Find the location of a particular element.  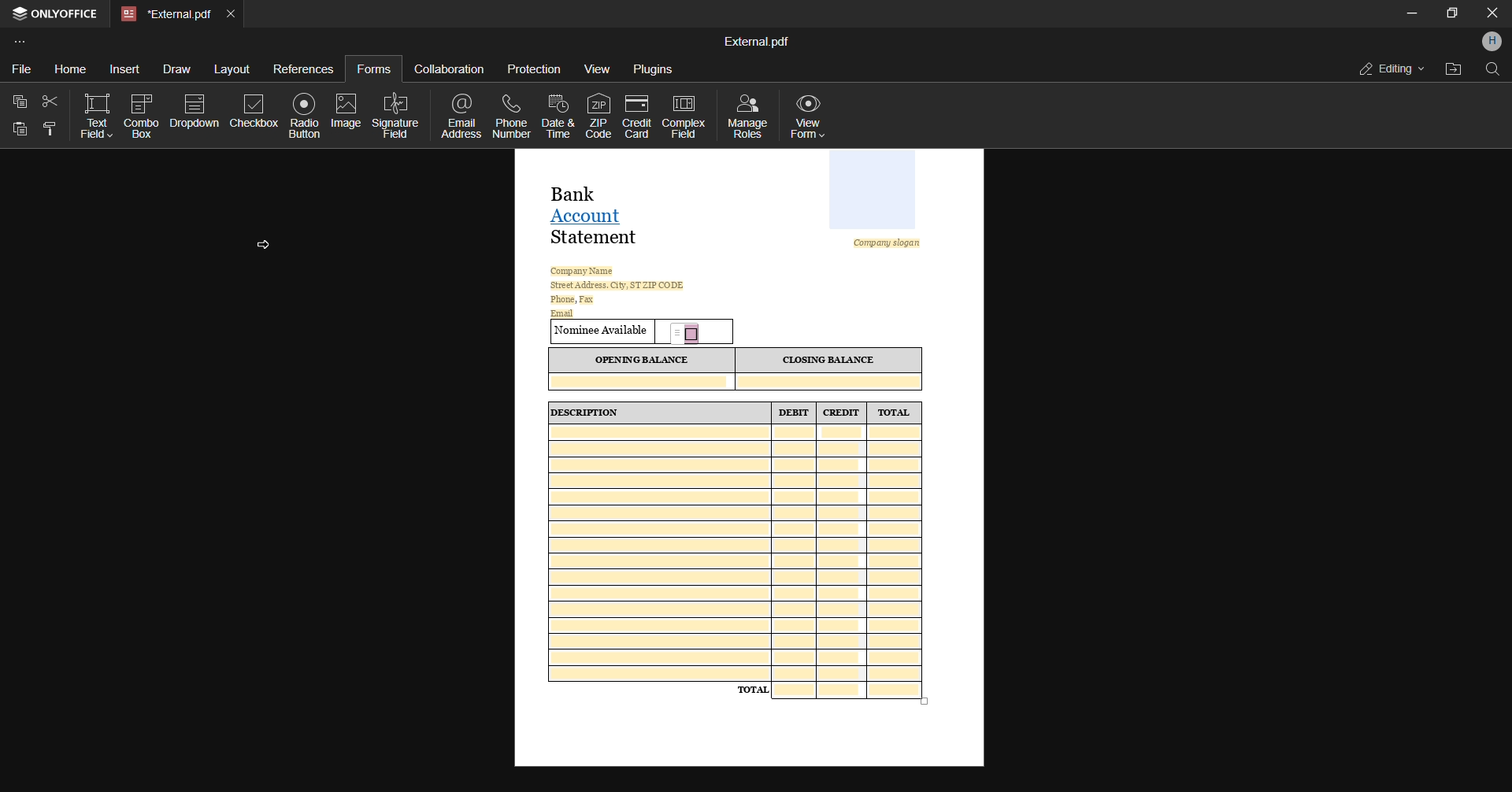

current open pdf is located at coordinates (165, 14).